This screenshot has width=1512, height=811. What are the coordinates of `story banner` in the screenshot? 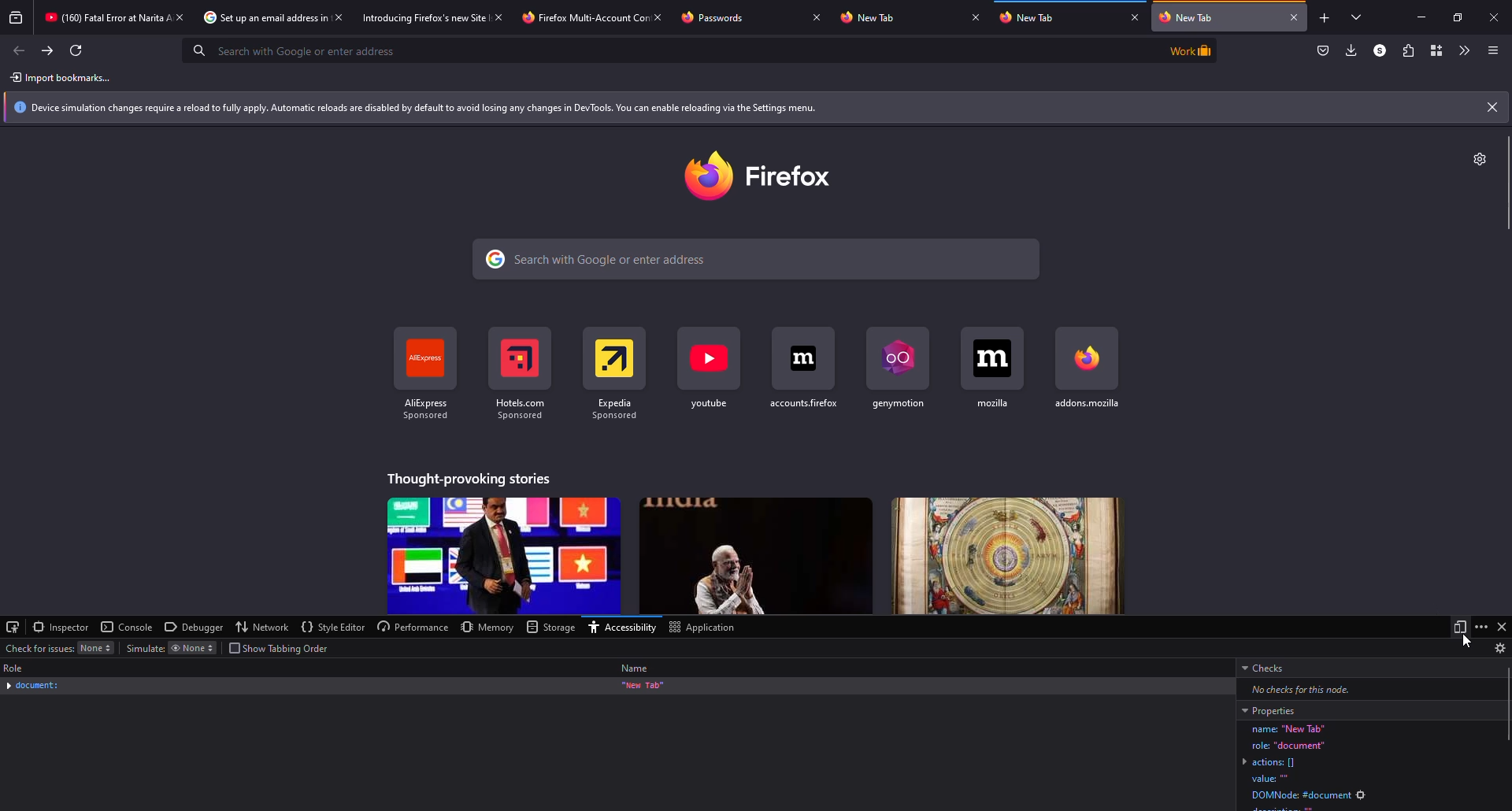 It's located at (1008, 556).